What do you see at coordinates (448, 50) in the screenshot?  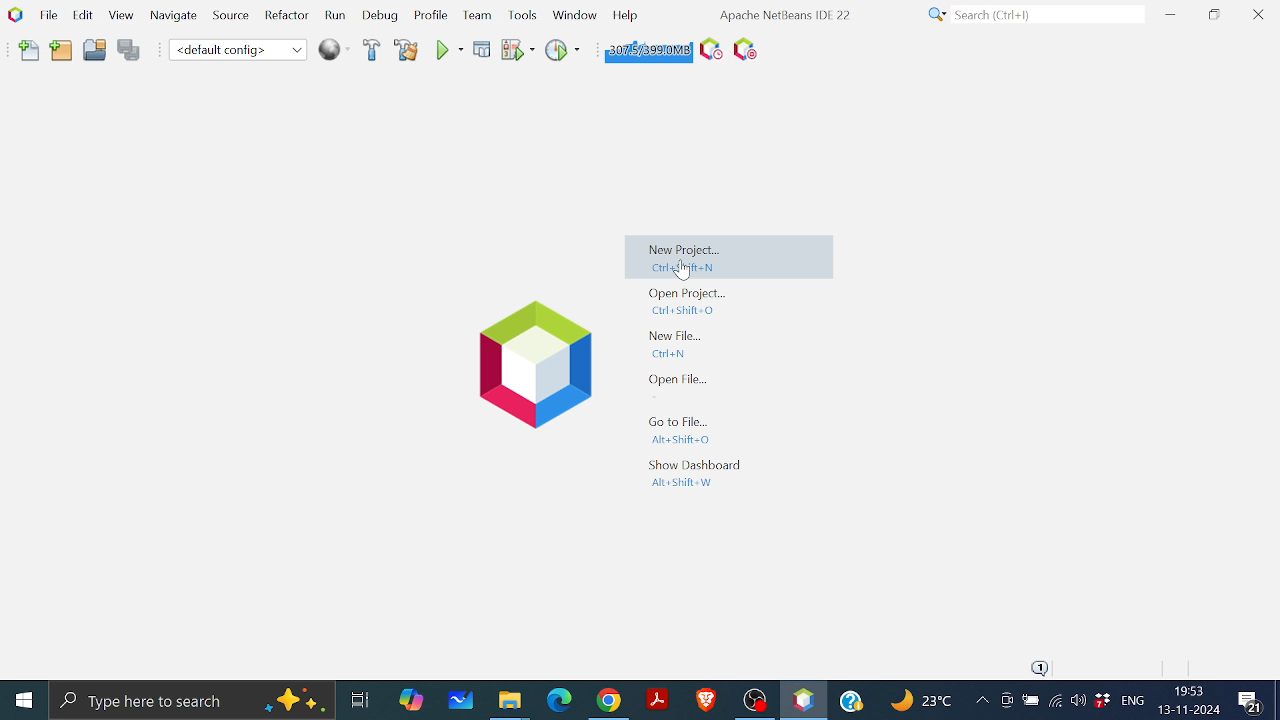 I see `Run` at bounding box center [448, 50].